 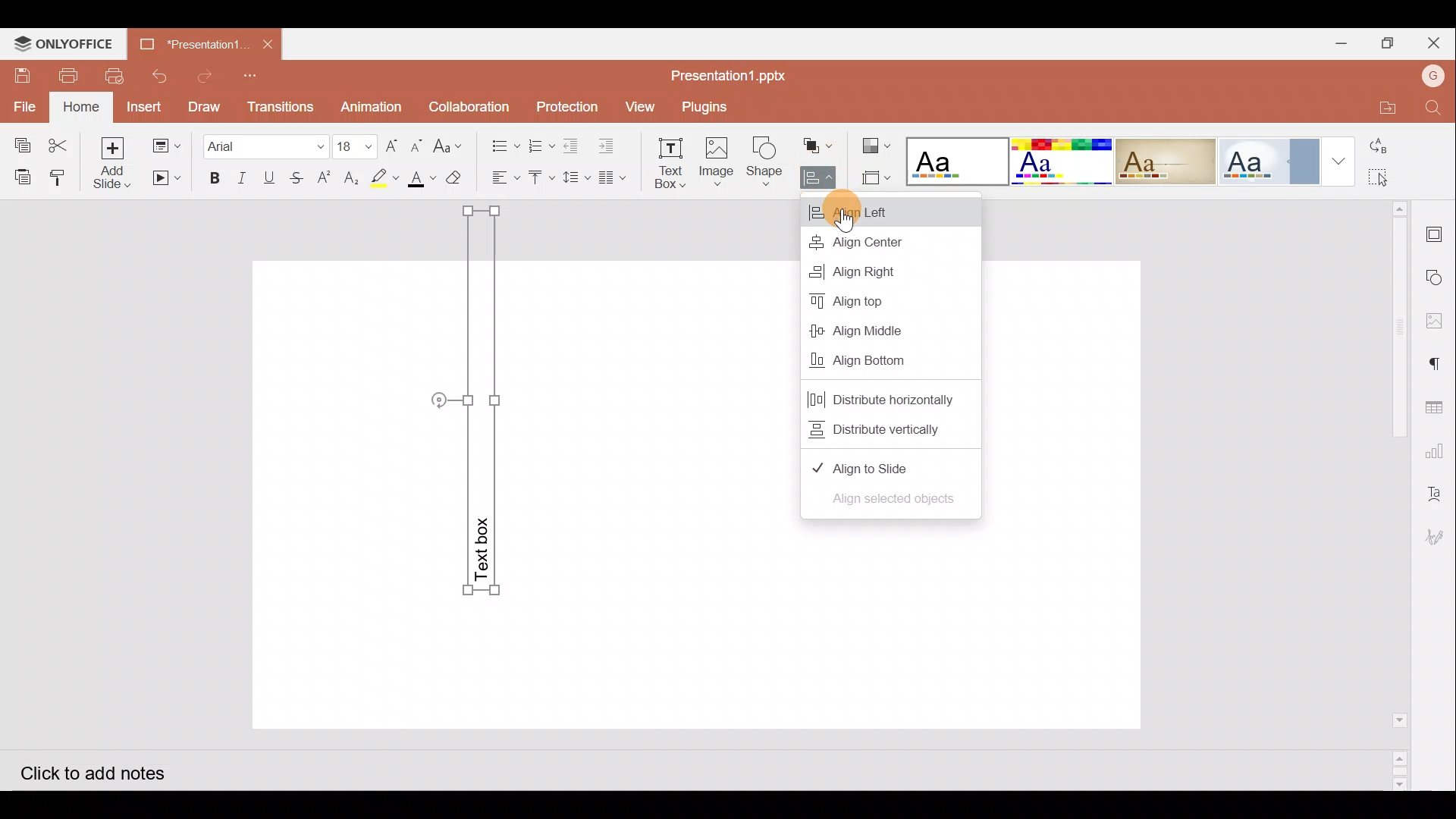 What do you see at coordinates (728, 73) in the screenshot?
I see `Presentation1.pptx` at bounding box center [728, 73].